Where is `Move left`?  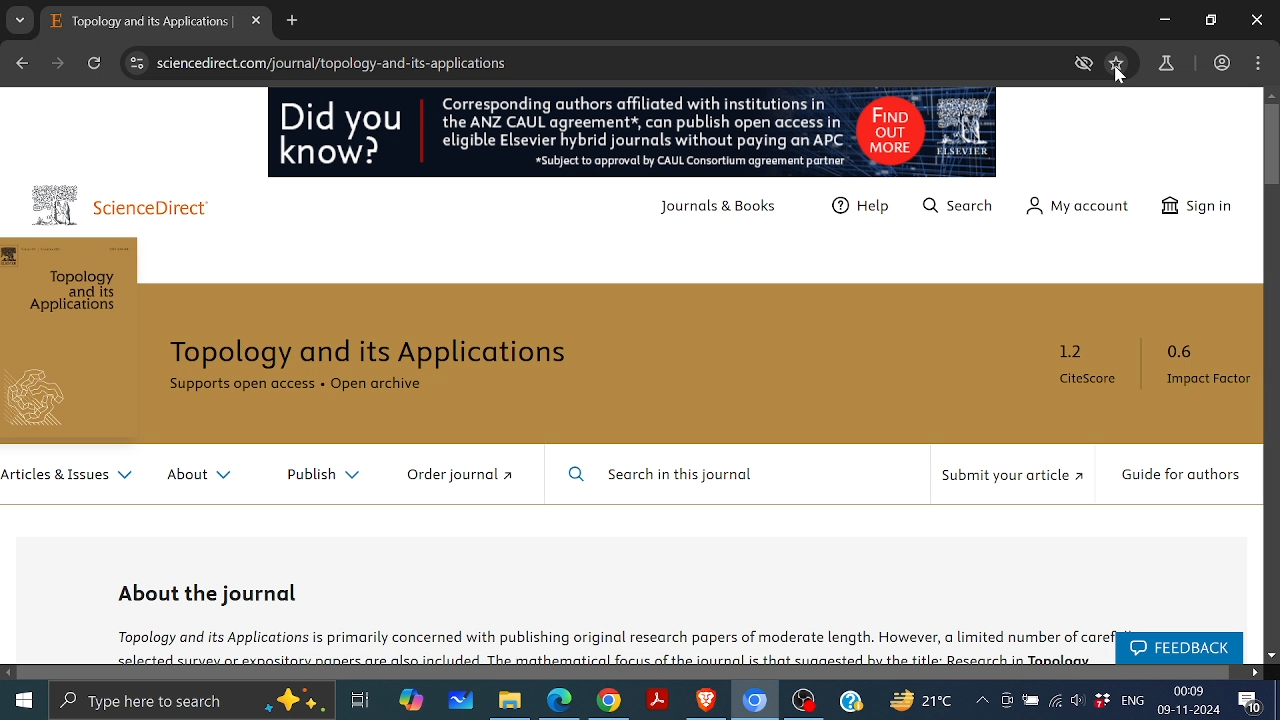
Move left is located at coordinates (9, 672).